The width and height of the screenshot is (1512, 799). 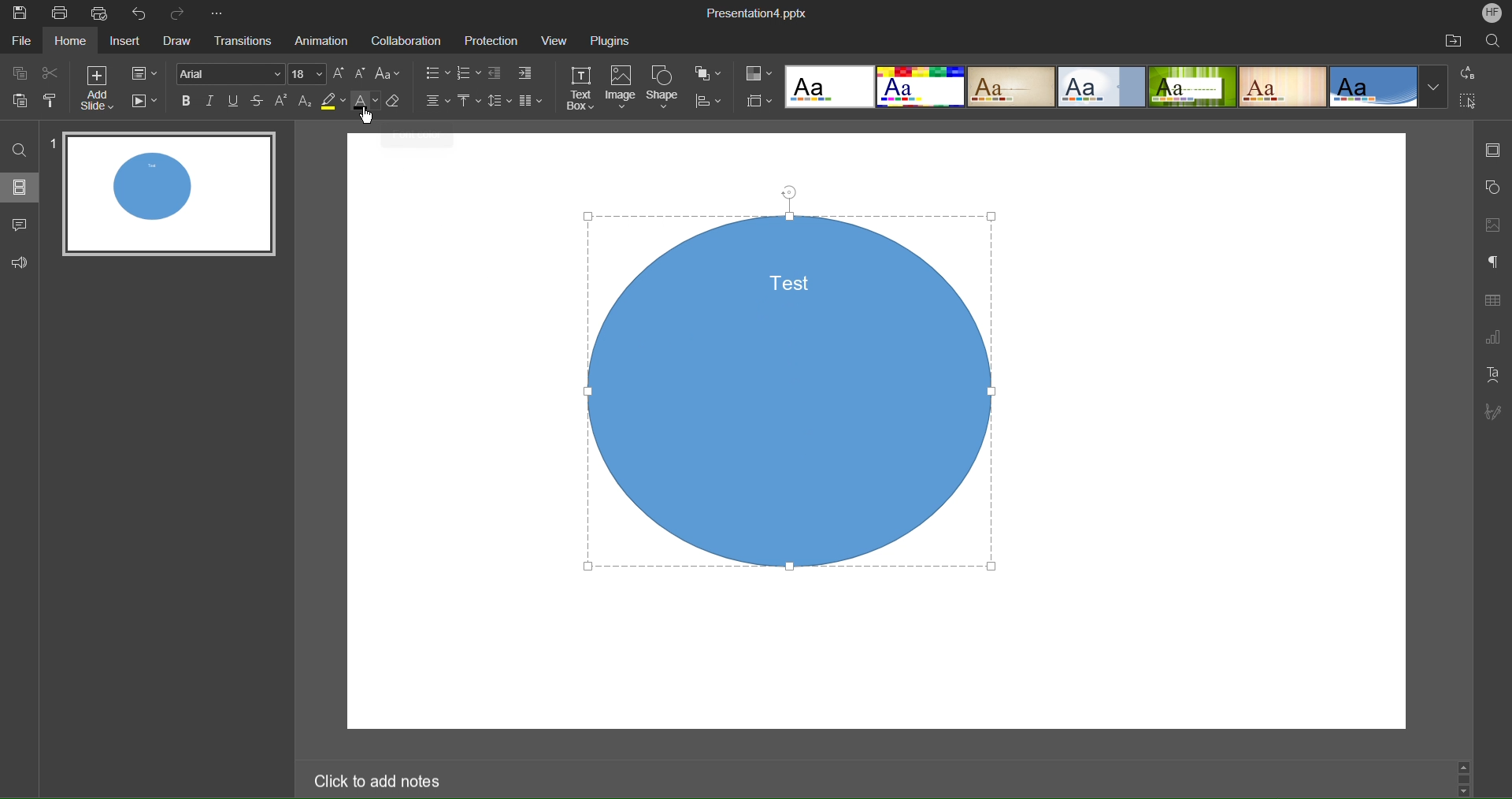 I want to click on Paragraph Settings, so click(x=1492, y=262).